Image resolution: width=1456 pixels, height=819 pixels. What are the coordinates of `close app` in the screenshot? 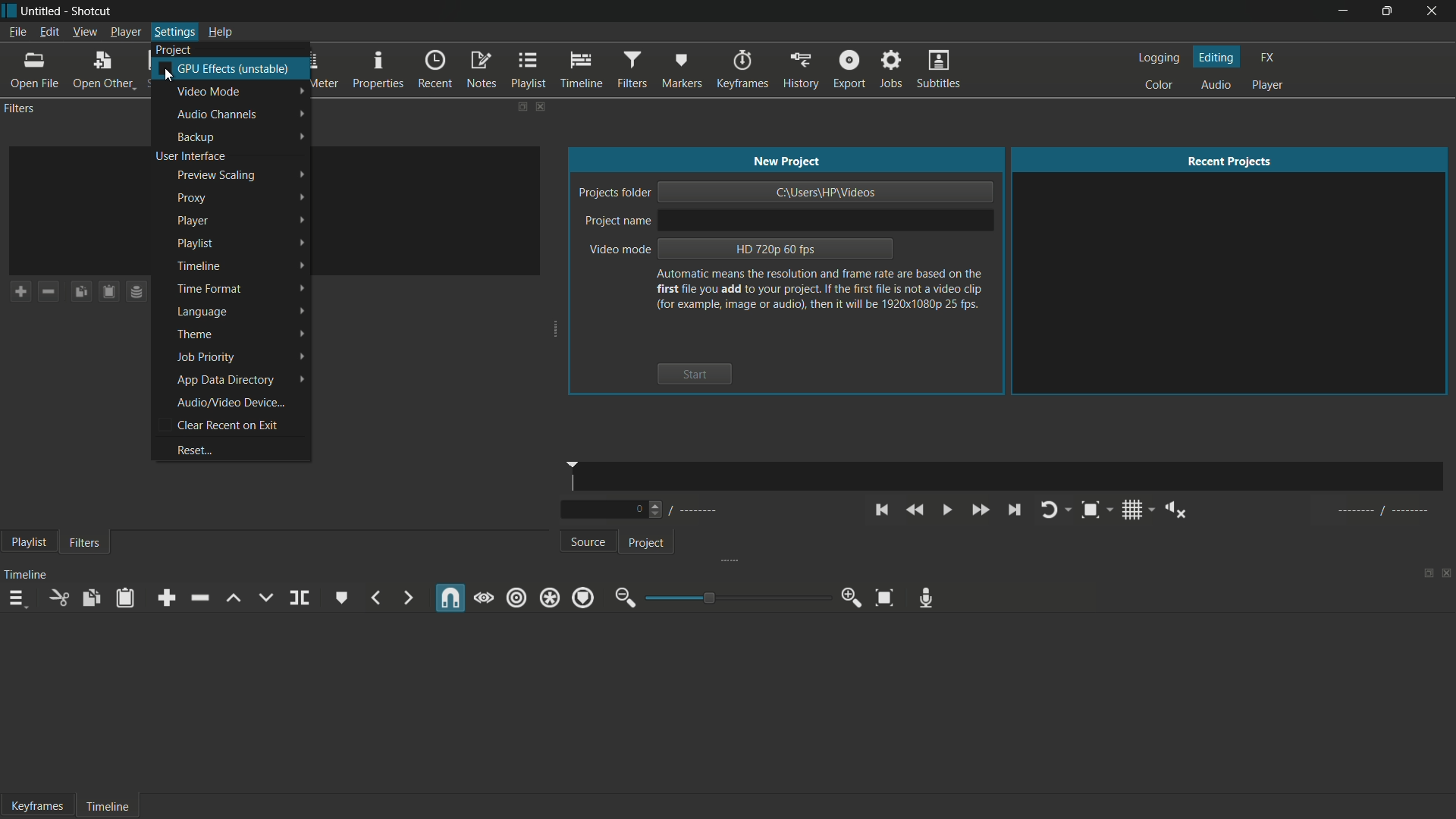 It's located at (1433, 11).